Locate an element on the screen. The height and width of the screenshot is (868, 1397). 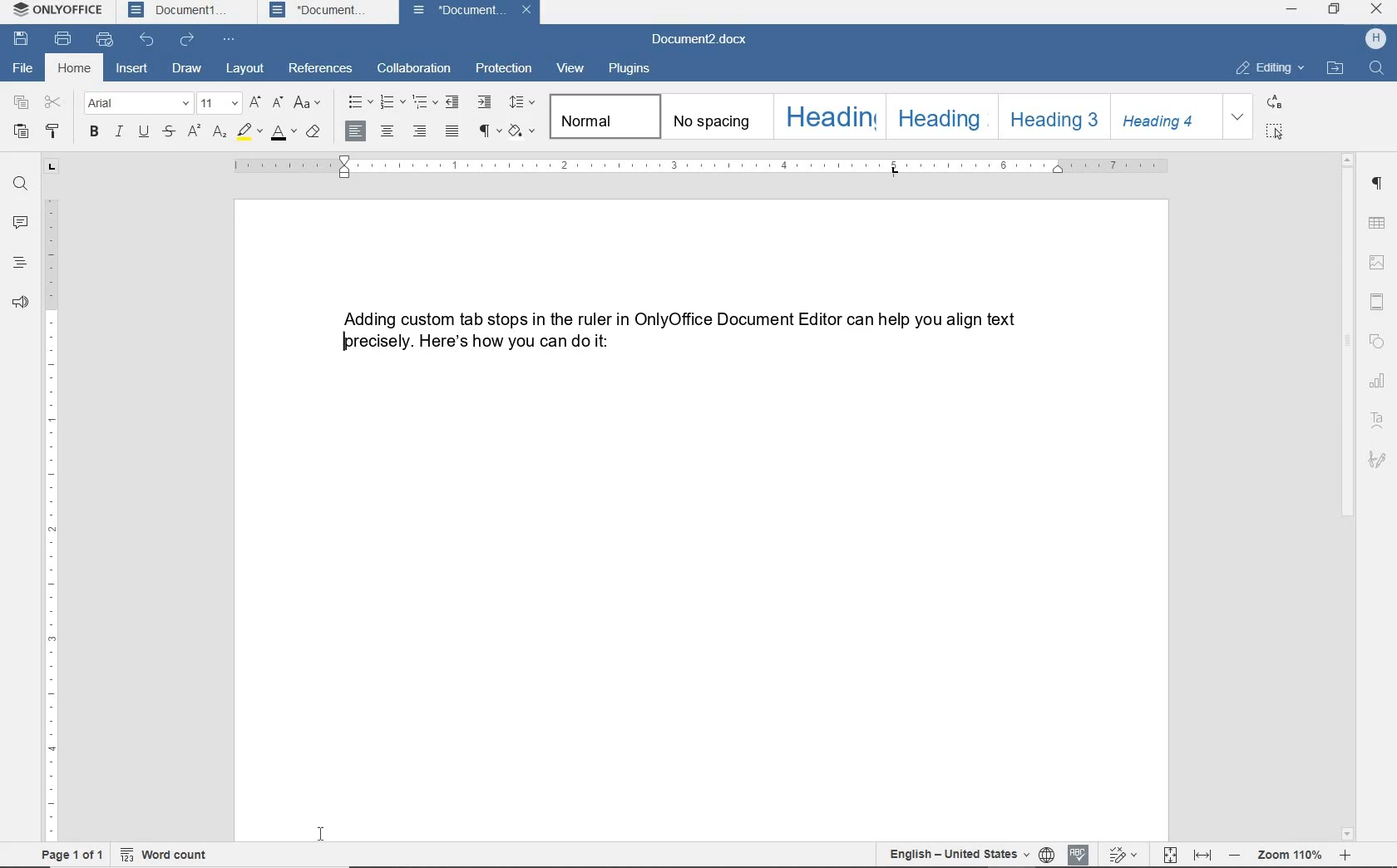
font color is located at coordinates (284, 133).